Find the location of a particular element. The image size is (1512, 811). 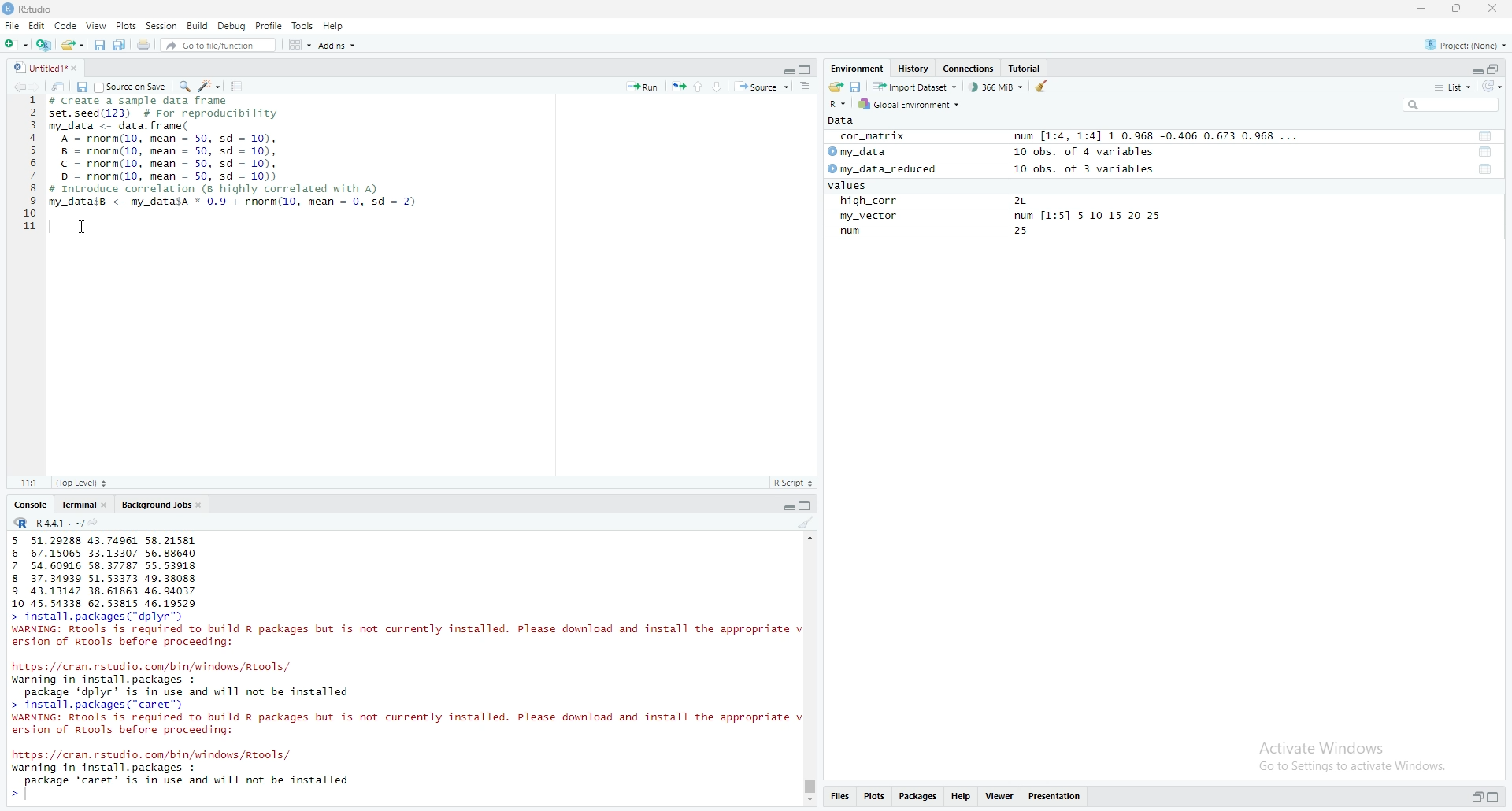

11:1 is located at coordinates (31, 483).